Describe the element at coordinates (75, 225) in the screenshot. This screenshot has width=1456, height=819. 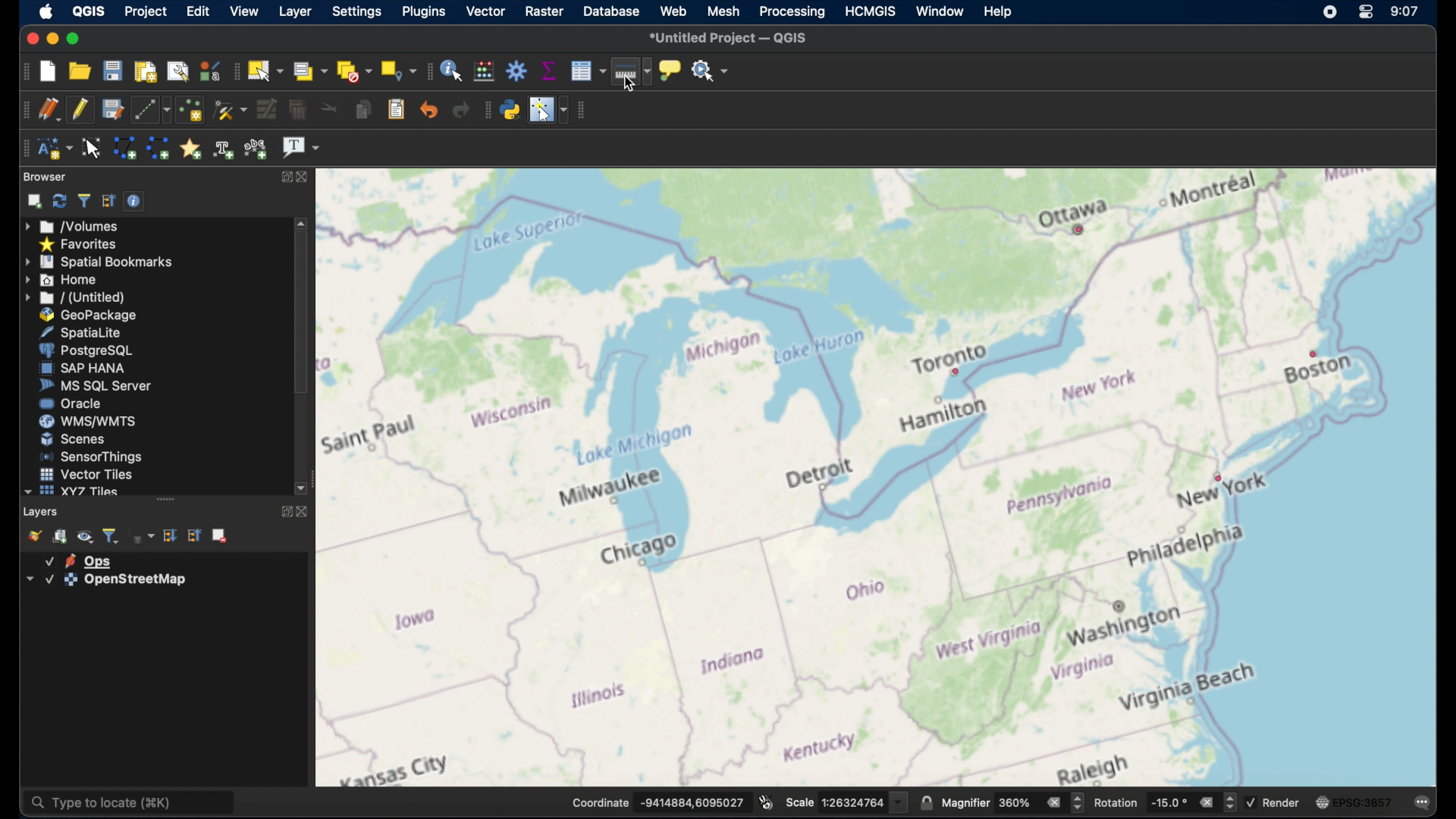
I see `volumes menu` at that location.